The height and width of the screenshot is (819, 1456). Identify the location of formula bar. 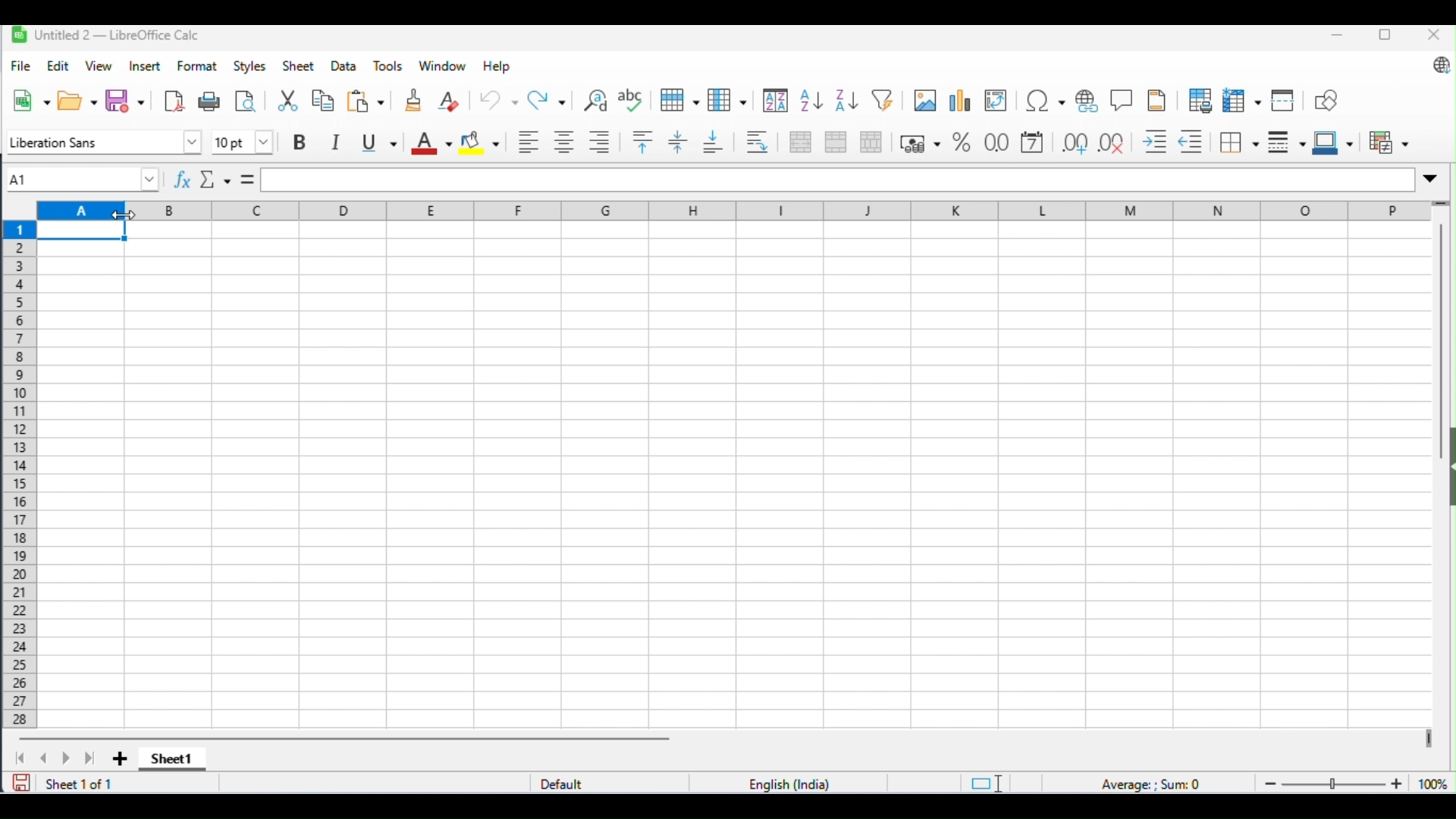
(836, 180).